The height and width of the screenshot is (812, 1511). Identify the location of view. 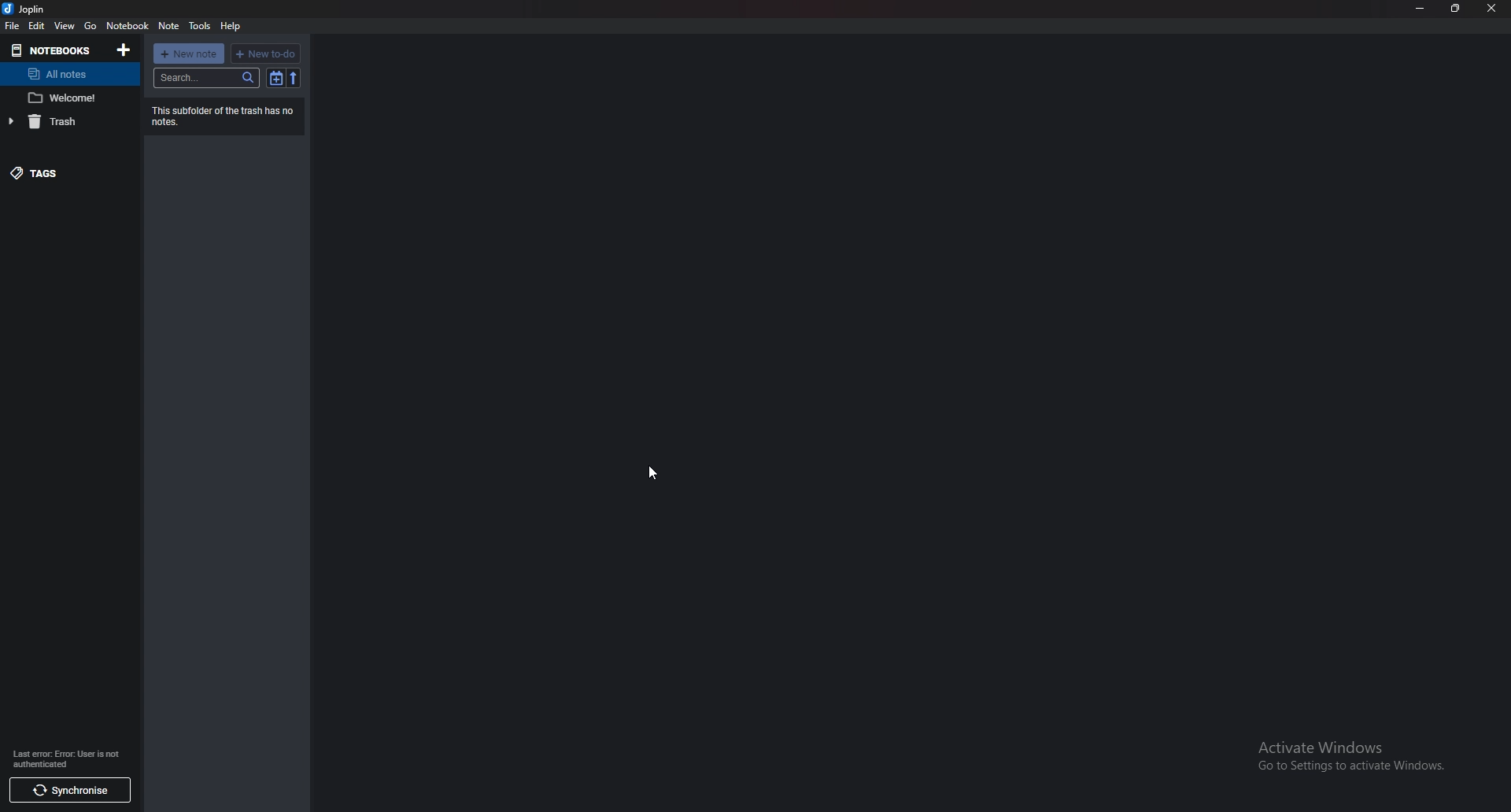
(65, 27).